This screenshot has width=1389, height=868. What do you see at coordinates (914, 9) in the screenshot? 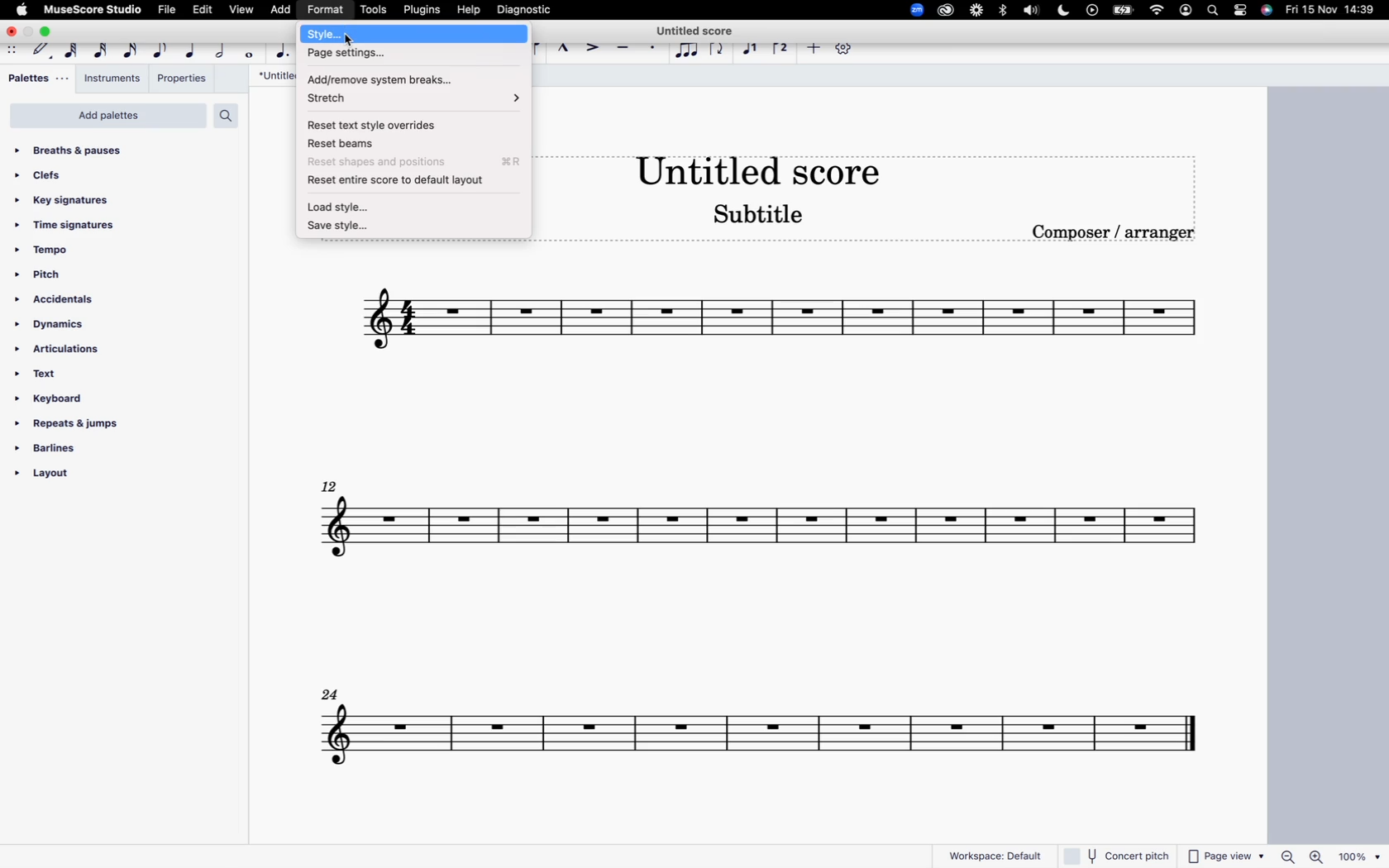
I see `zoom` at bounding box center [914, 9].